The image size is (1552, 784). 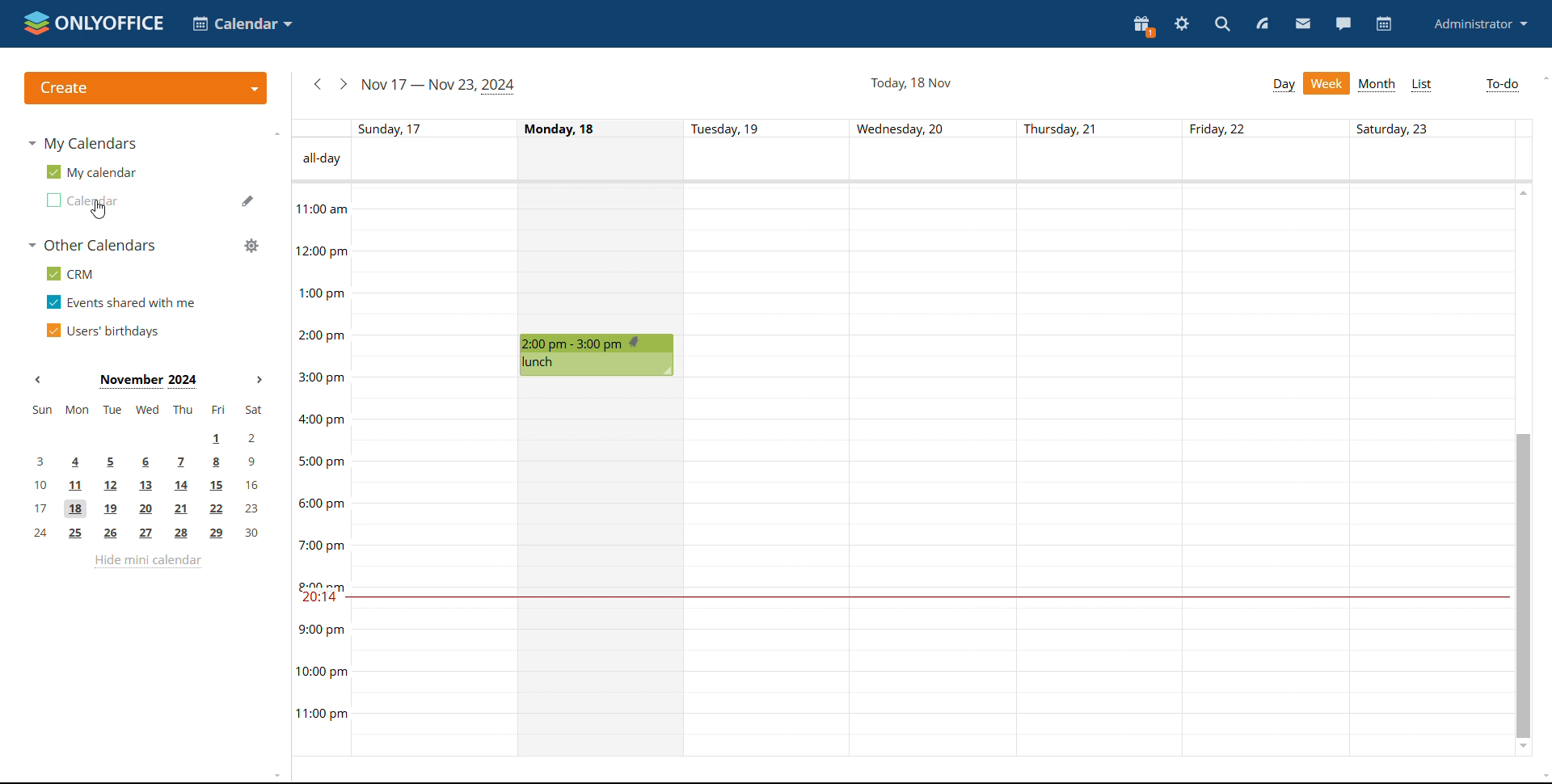 What do you see at coordinates (1100, 472) in the screenshot?
I see `Thursday` at bounding box center [1100, 472].